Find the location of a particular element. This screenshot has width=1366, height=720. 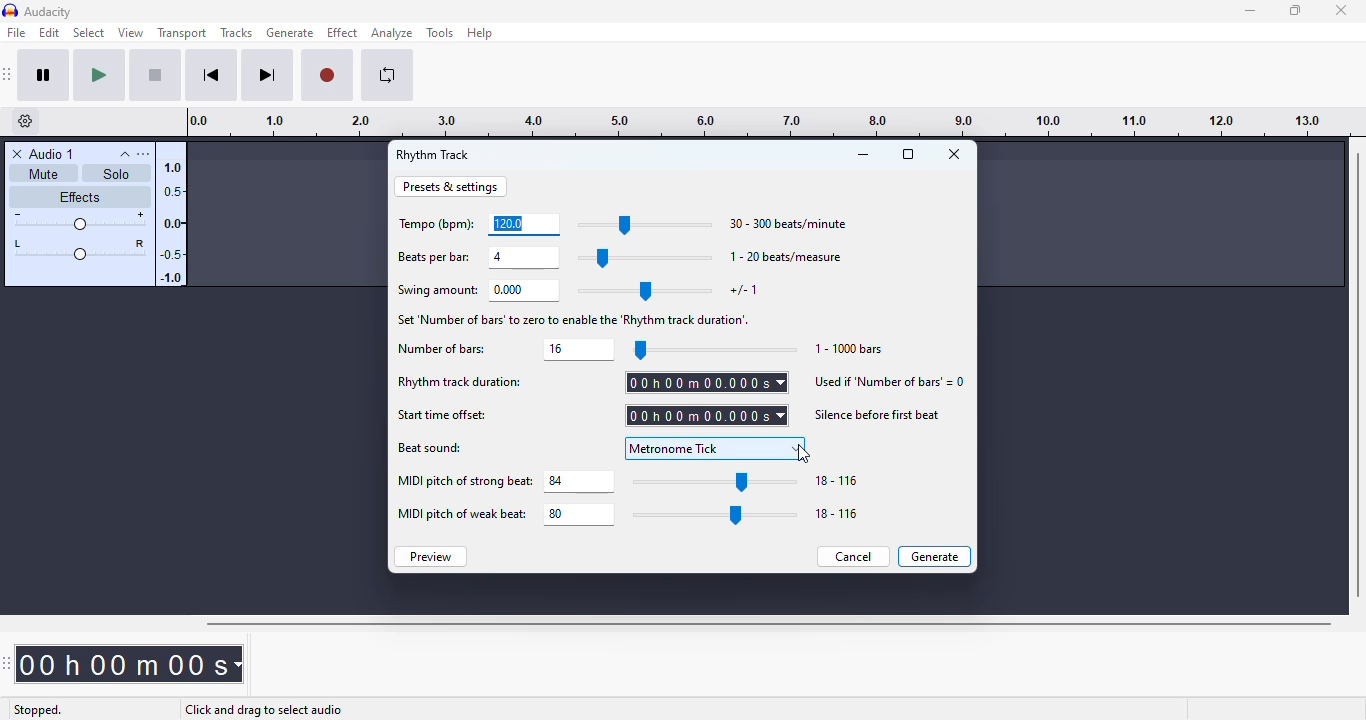

cancel is located at coordinates (853, 557).